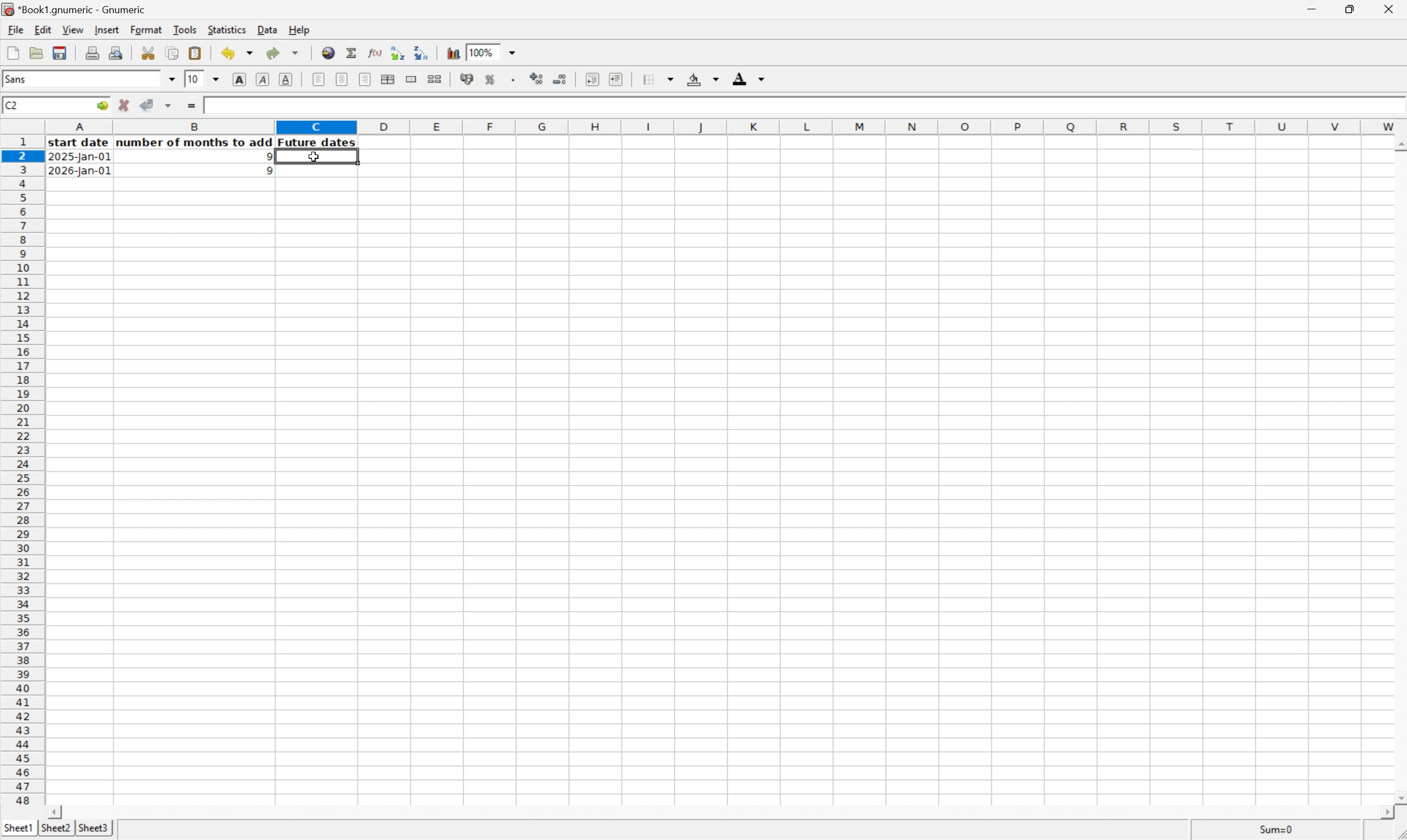 Image resolution: width=1407 pixels, height=840 pixels. What do you see at coordinates (561, 78) in the screenshot?
I see `Decrease the number of decimals displayed` at bounding box center [561, 78].